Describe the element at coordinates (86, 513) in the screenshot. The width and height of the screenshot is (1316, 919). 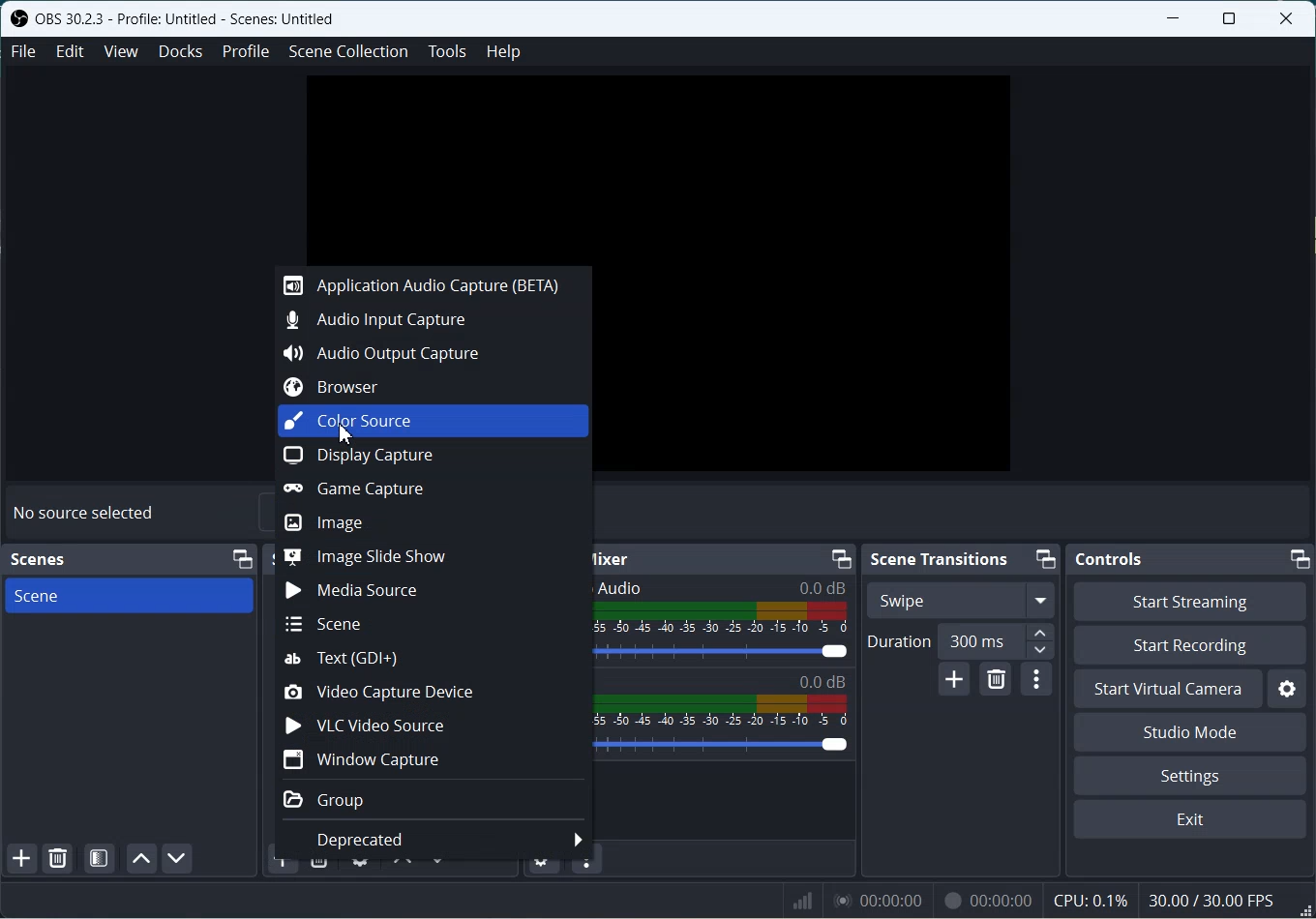
I see `No source selected` at that location.